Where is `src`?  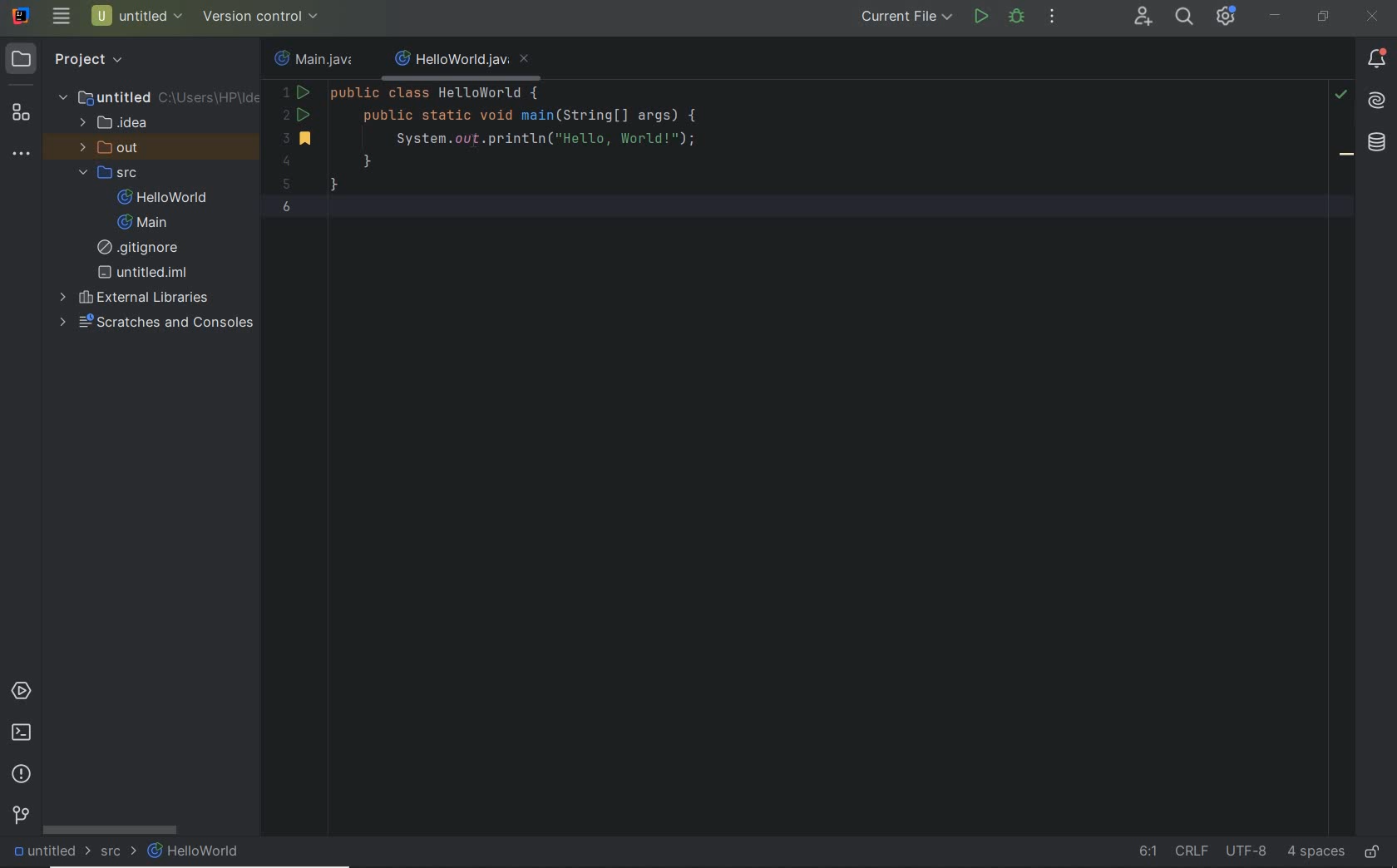
src is located at coordinates (108, 174).